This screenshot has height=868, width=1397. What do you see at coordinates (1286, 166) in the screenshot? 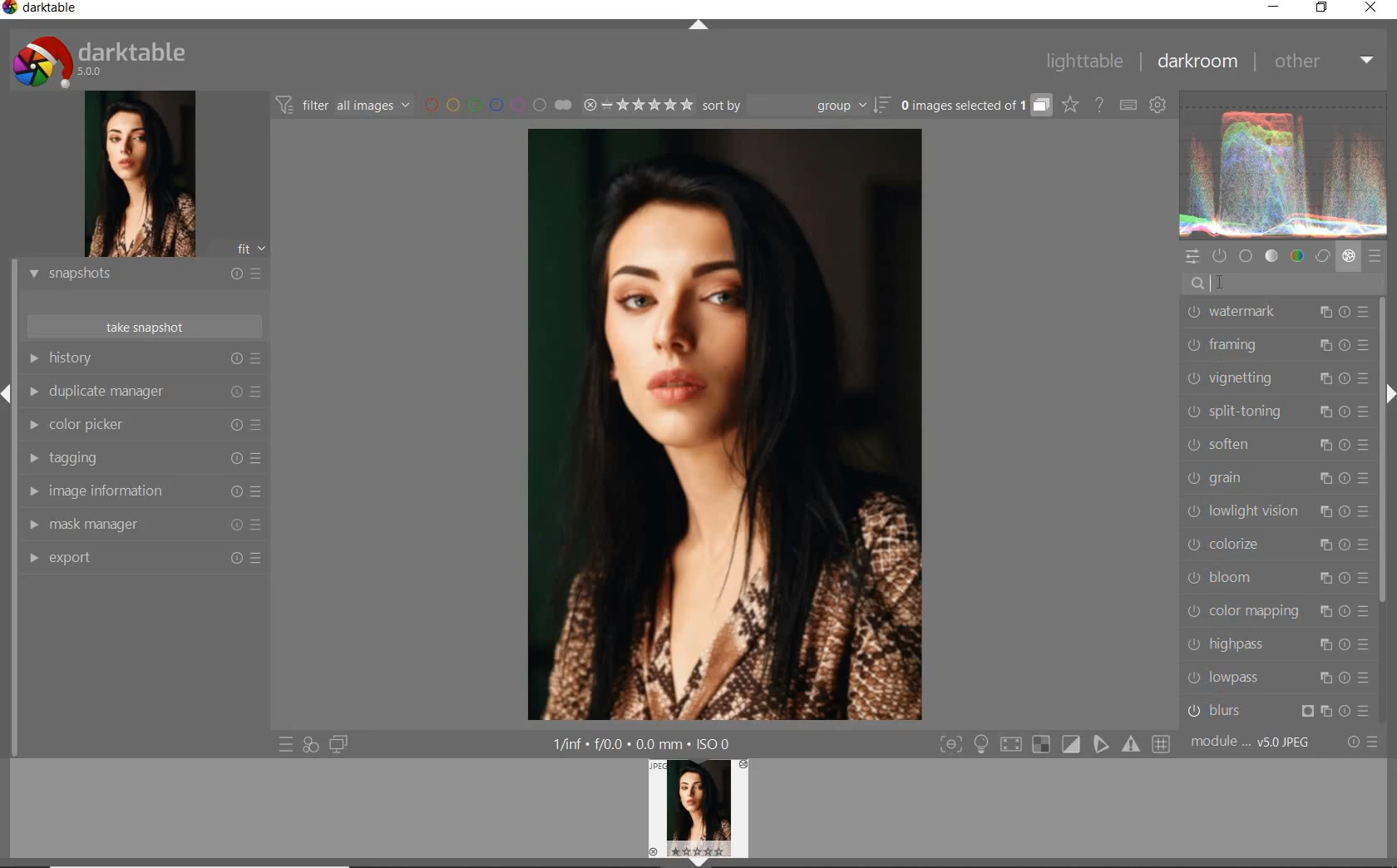
I see `waveform` at bounding box center [1286, 166].